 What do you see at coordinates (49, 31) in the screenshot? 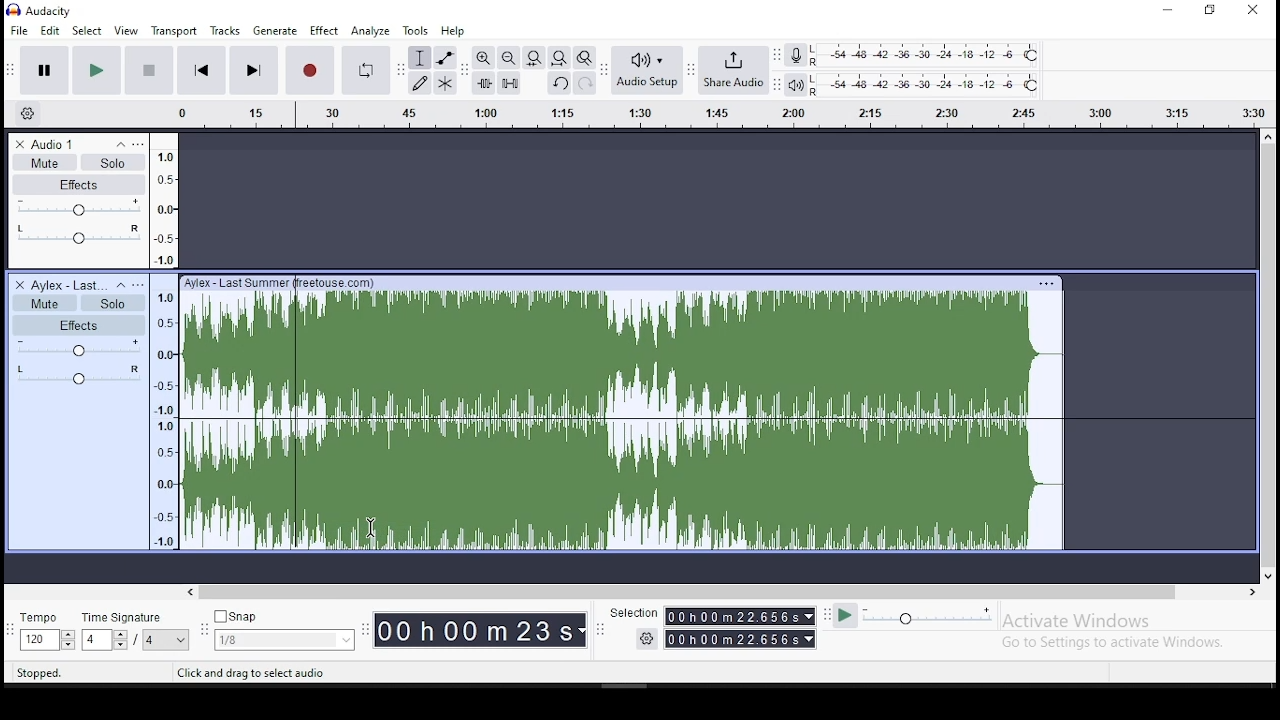
I see `edit` at bounding box center [49, 31].